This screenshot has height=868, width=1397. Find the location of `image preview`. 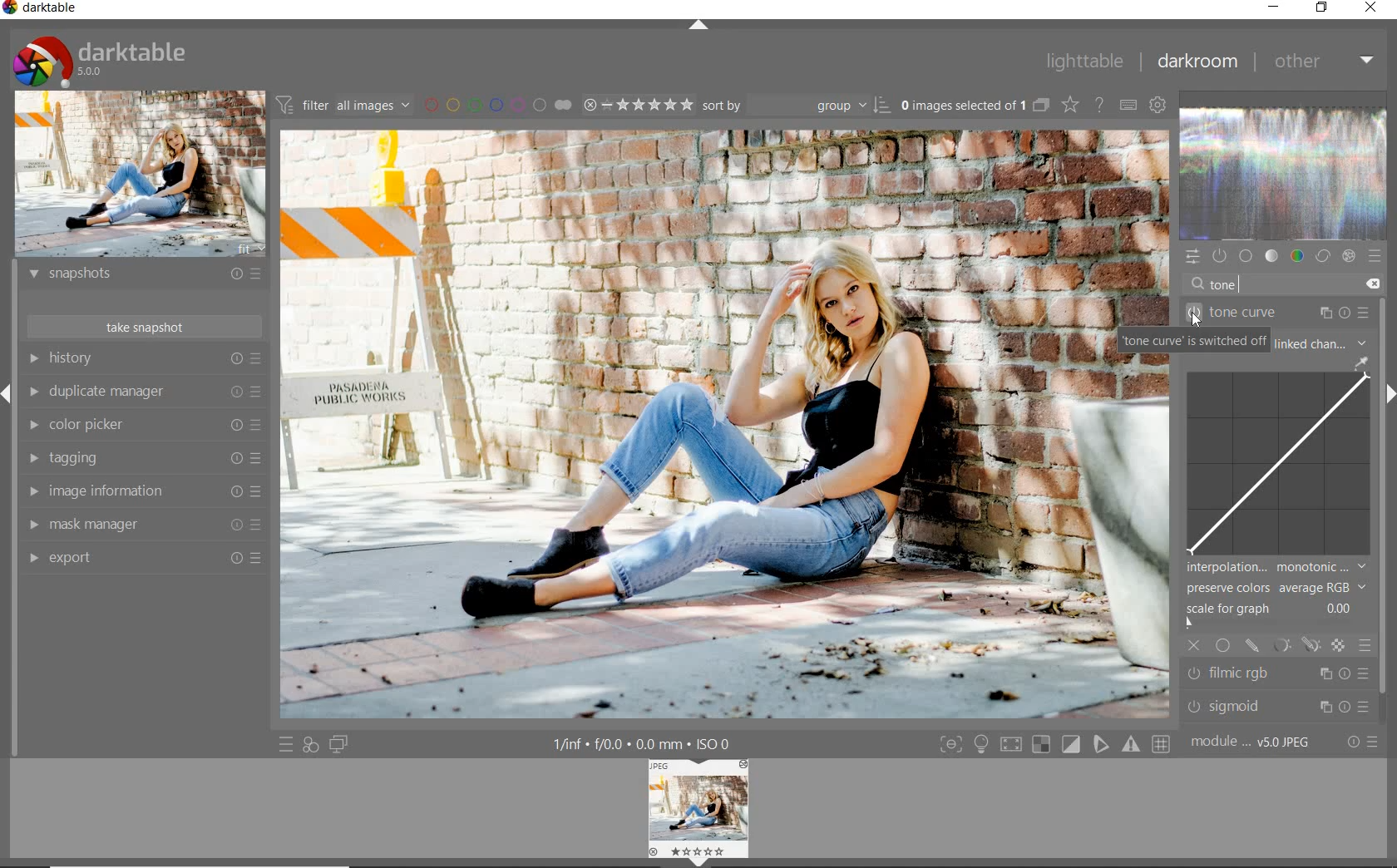

image preview is located at coordinates (698, 812).